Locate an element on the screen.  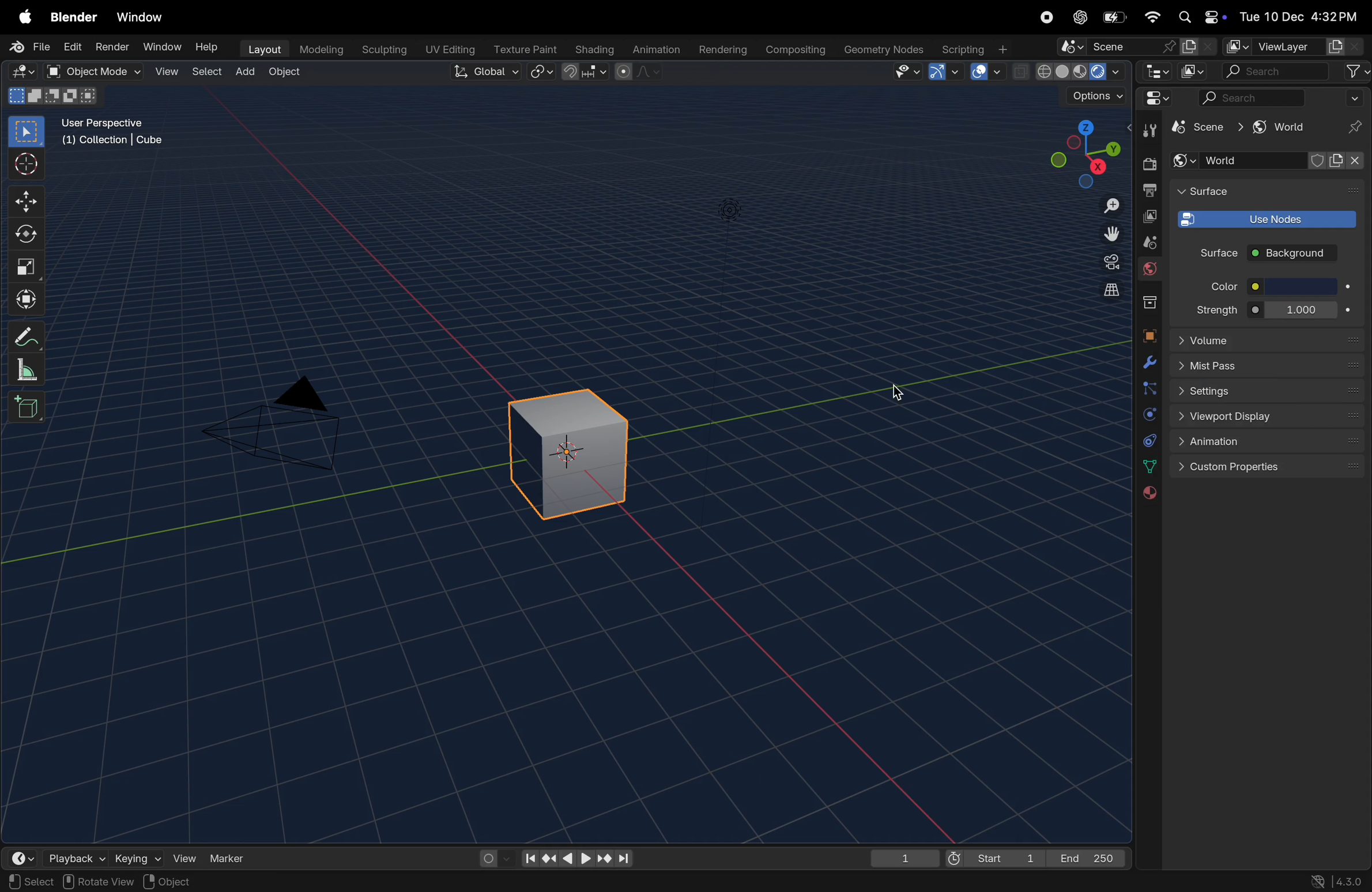
Object is located at coordinates (287, 73).